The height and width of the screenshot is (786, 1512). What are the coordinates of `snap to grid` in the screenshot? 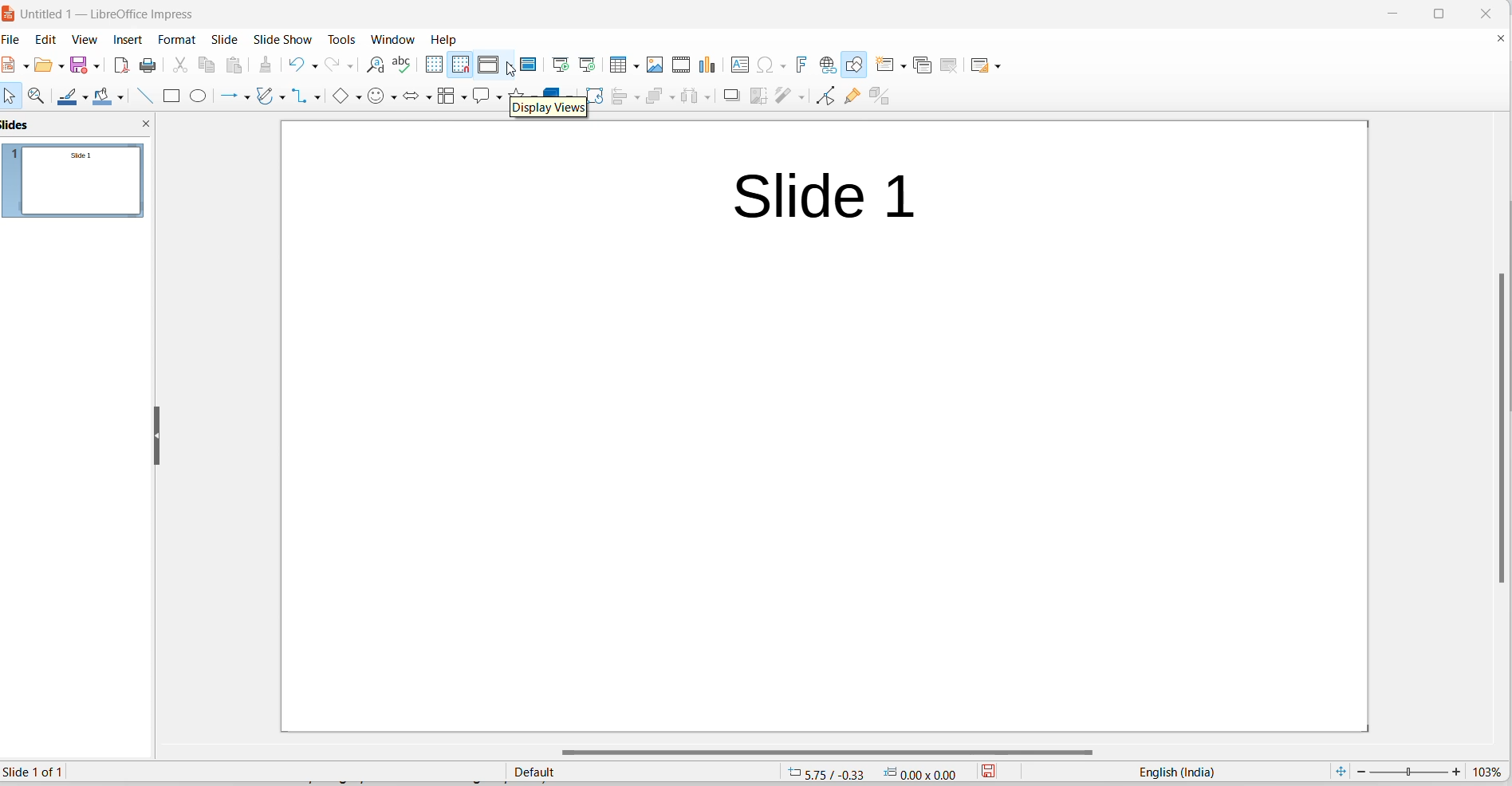 It's located at (460, 65).